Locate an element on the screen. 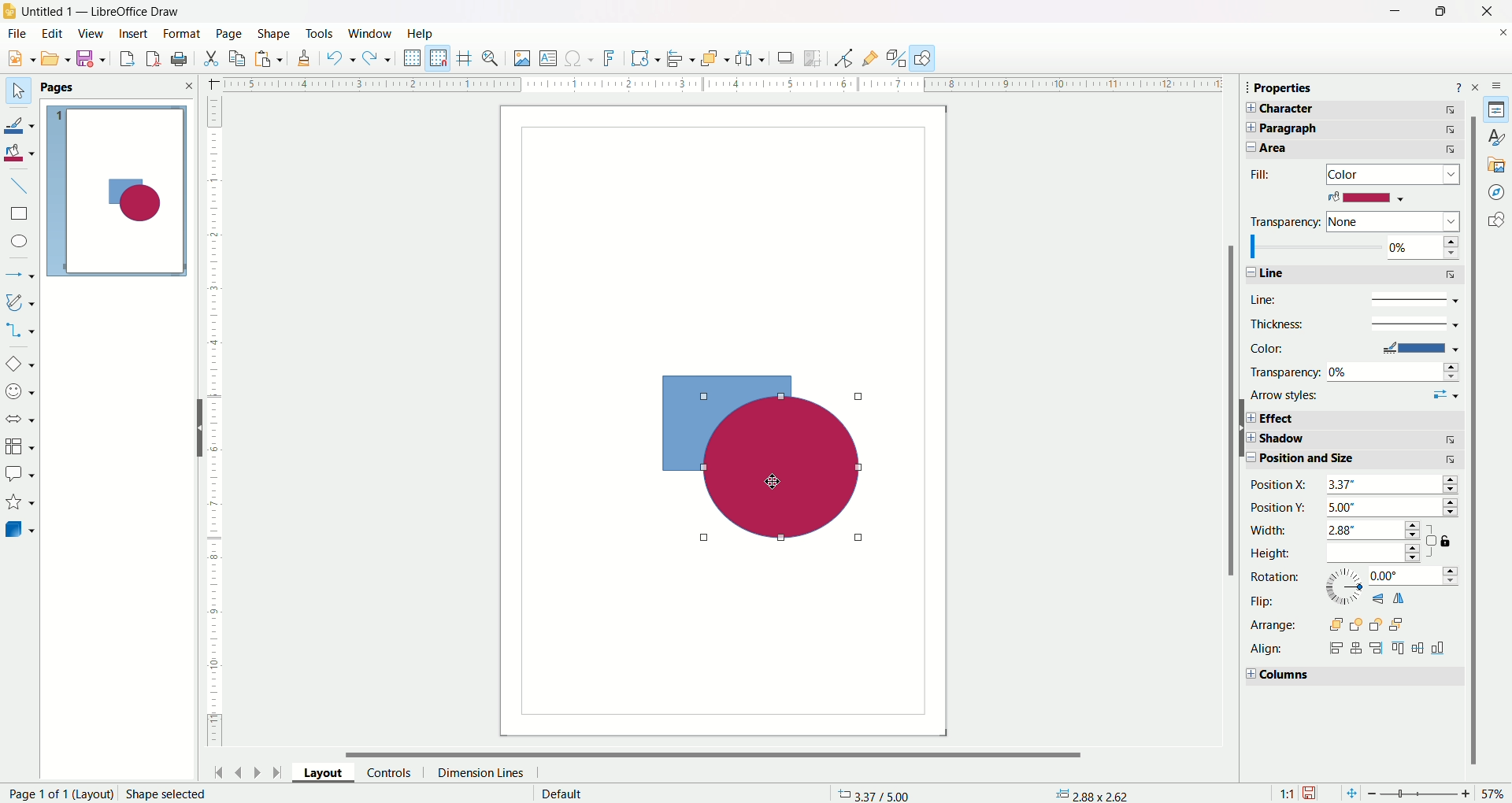 Image resolution: width=1512 pixels, height=803 pixels. align is located at coordinates (1354, 649).